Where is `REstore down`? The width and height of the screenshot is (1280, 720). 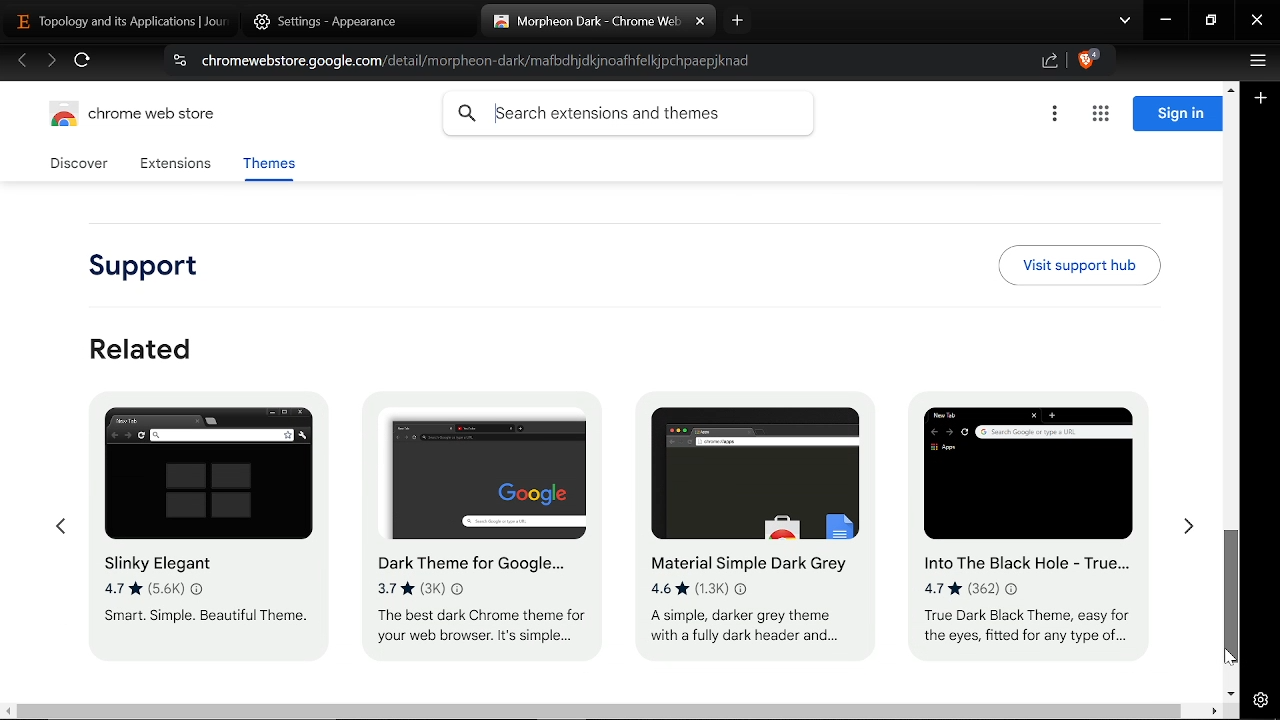
REstore down is located at coordinates (1213, 21).